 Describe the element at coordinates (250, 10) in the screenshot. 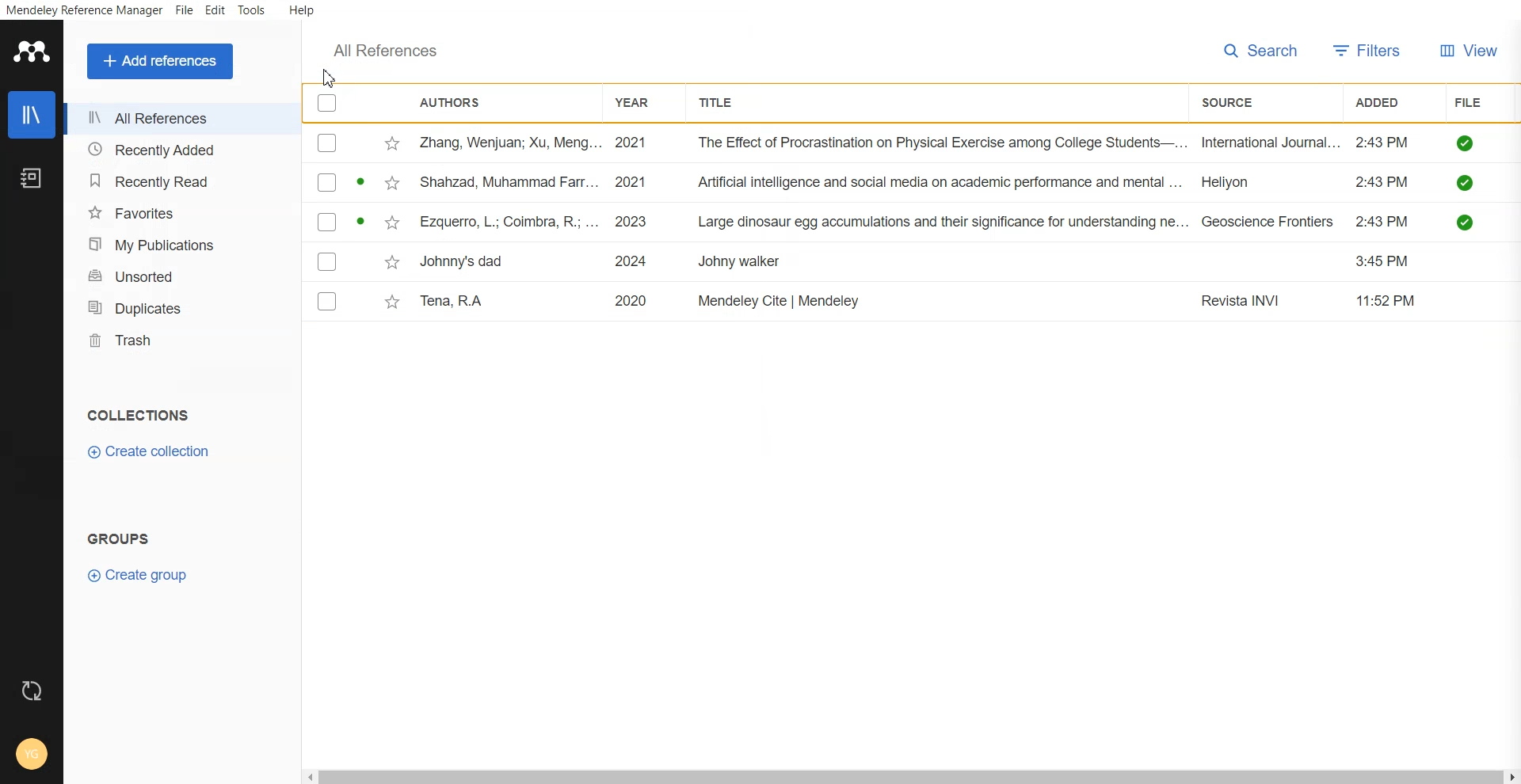

I see `Tools` at that location.